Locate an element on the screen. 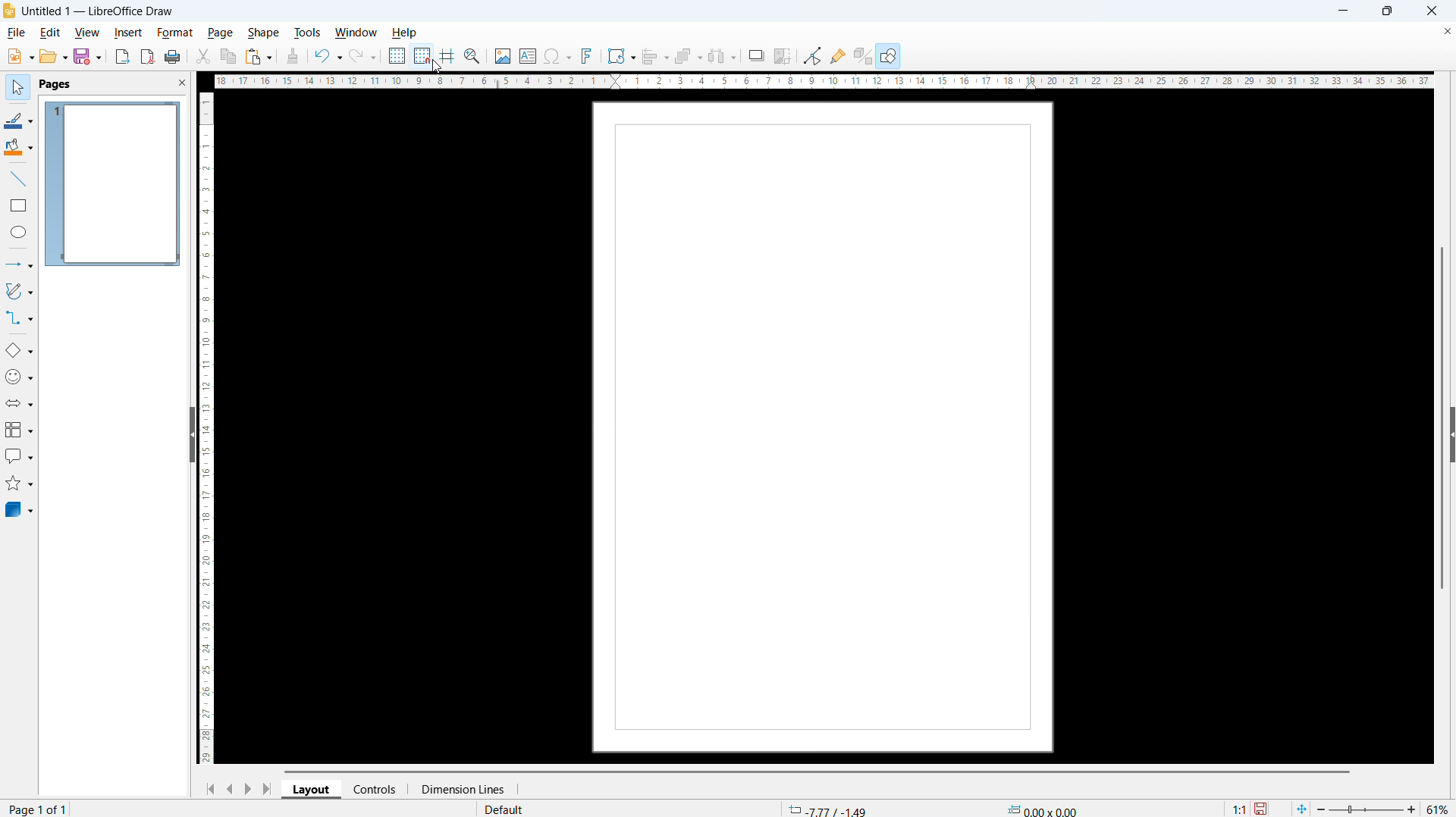 The height and width of the screenshot is (817, 1456). Zoom level  is located at coordinates (1439, 807).